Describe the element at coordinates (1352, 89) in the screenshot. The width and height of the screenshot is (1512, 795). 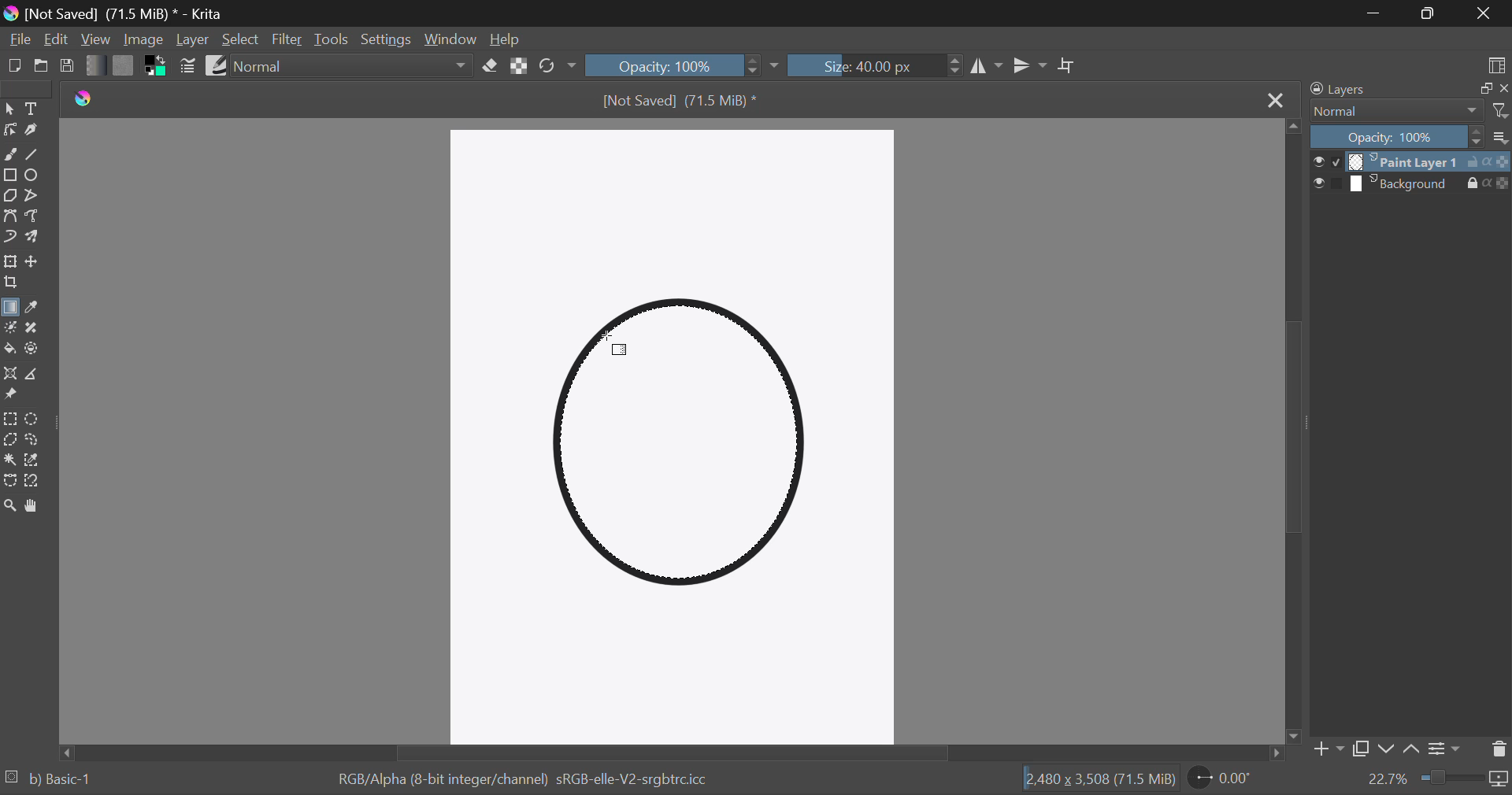
I see `Layers Docker` at that location.